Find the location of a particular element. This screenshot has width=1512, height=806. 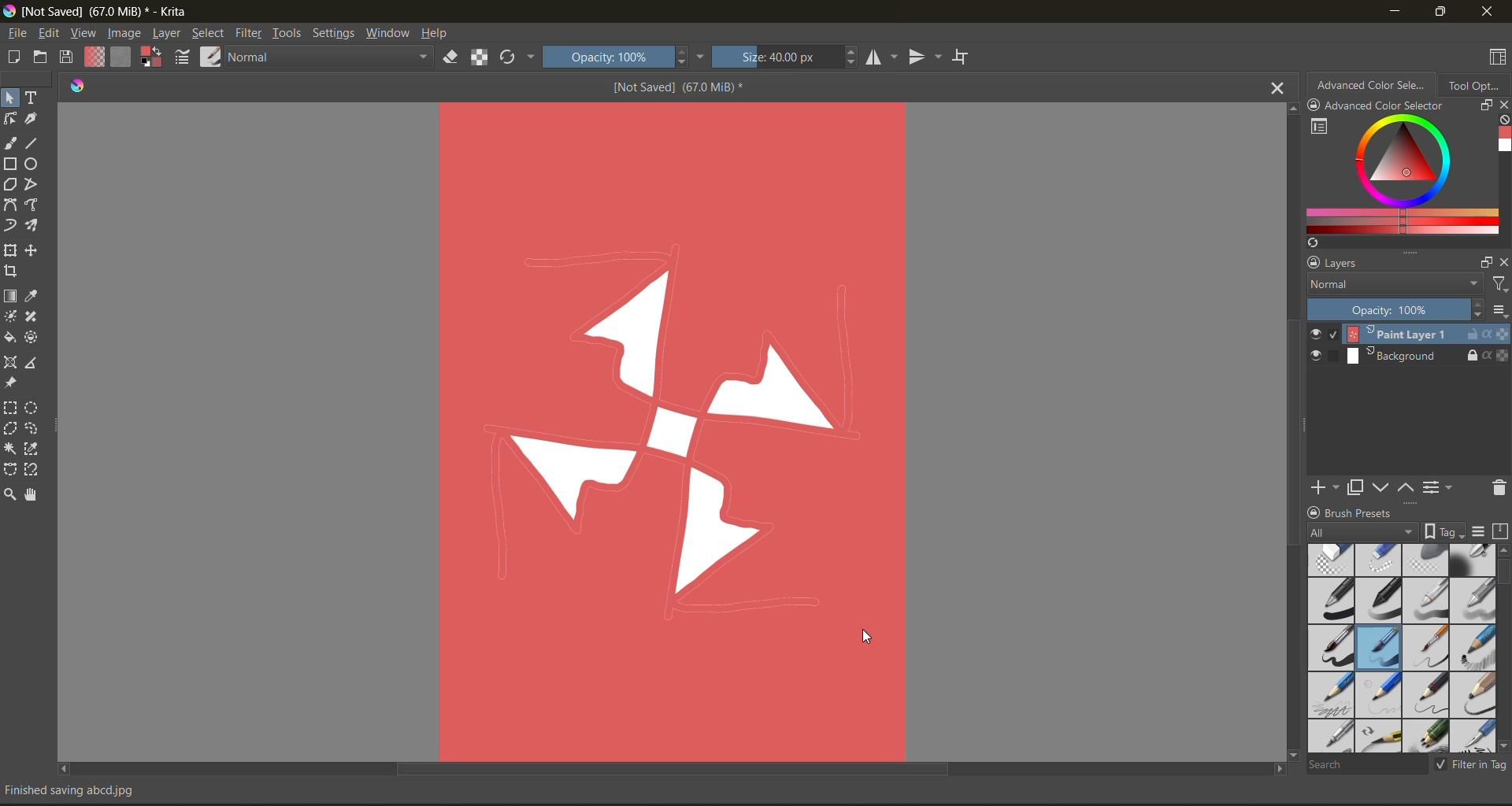

display settings is located at coordinates (1481, 532).